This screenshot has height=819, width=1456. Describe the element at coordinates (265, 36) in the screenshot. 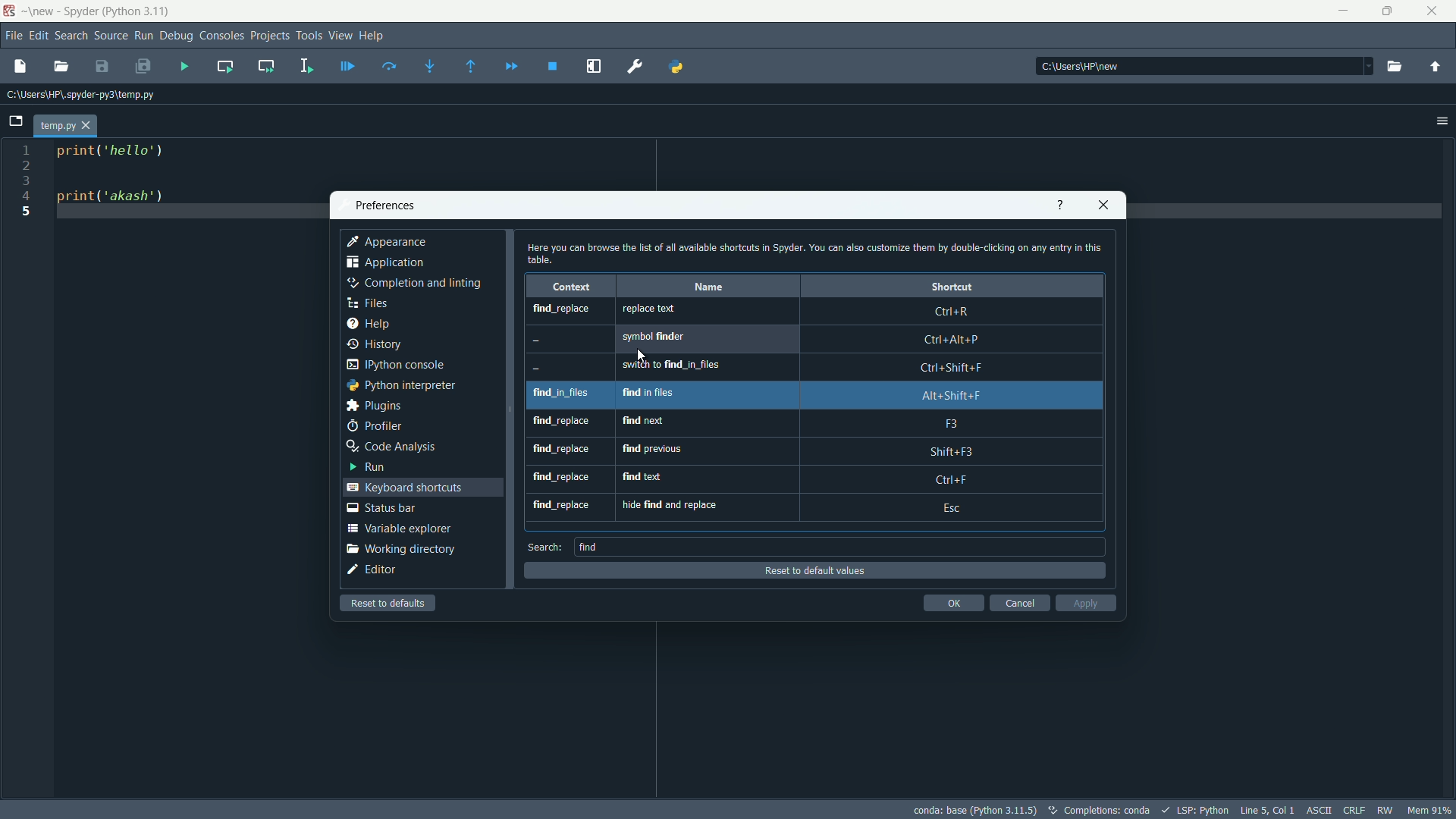

I see `projects menu` at that location.